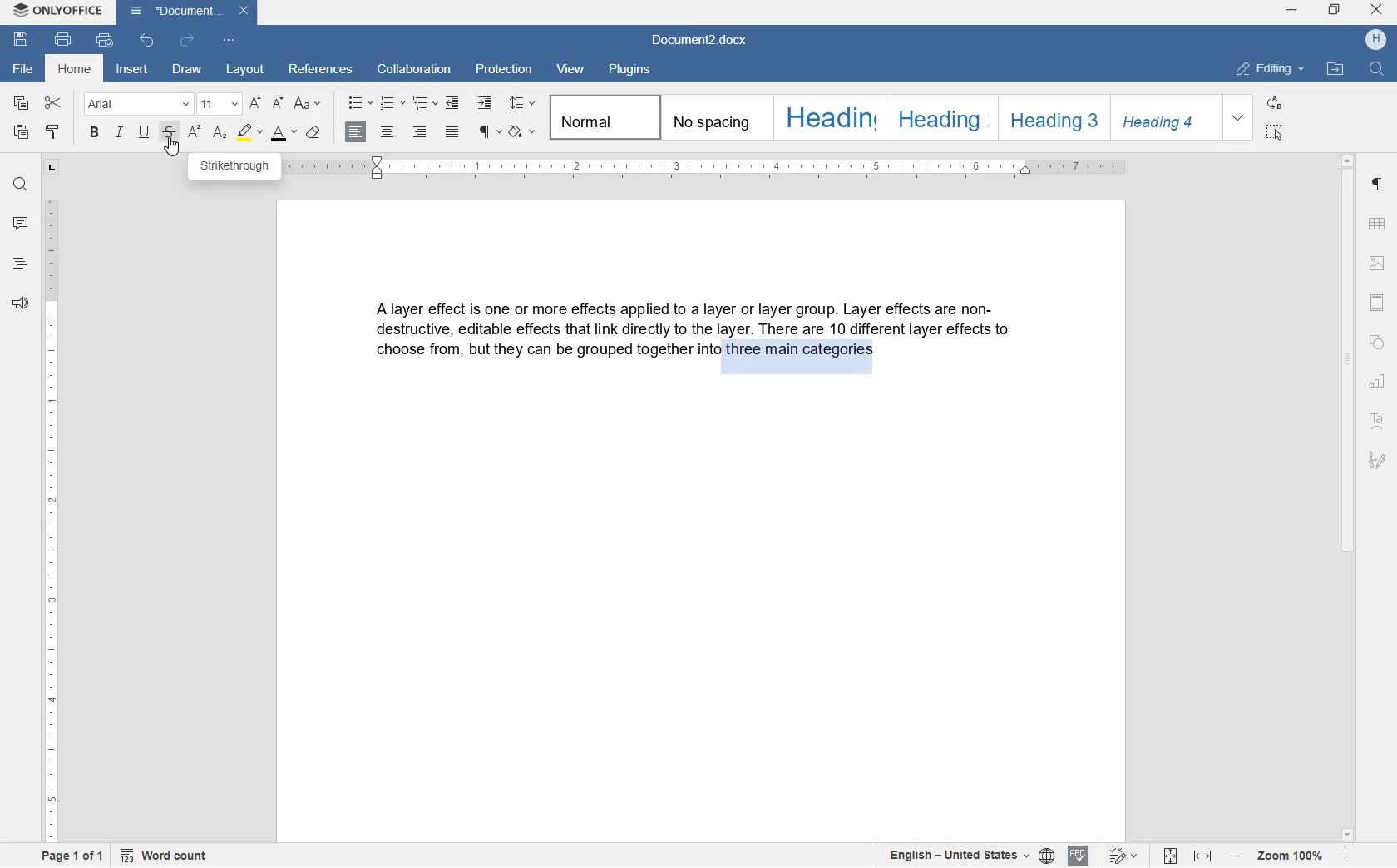 The height and width of the screenshot is (868, 1397). I want to click on heading 3, so click(1049, 116).